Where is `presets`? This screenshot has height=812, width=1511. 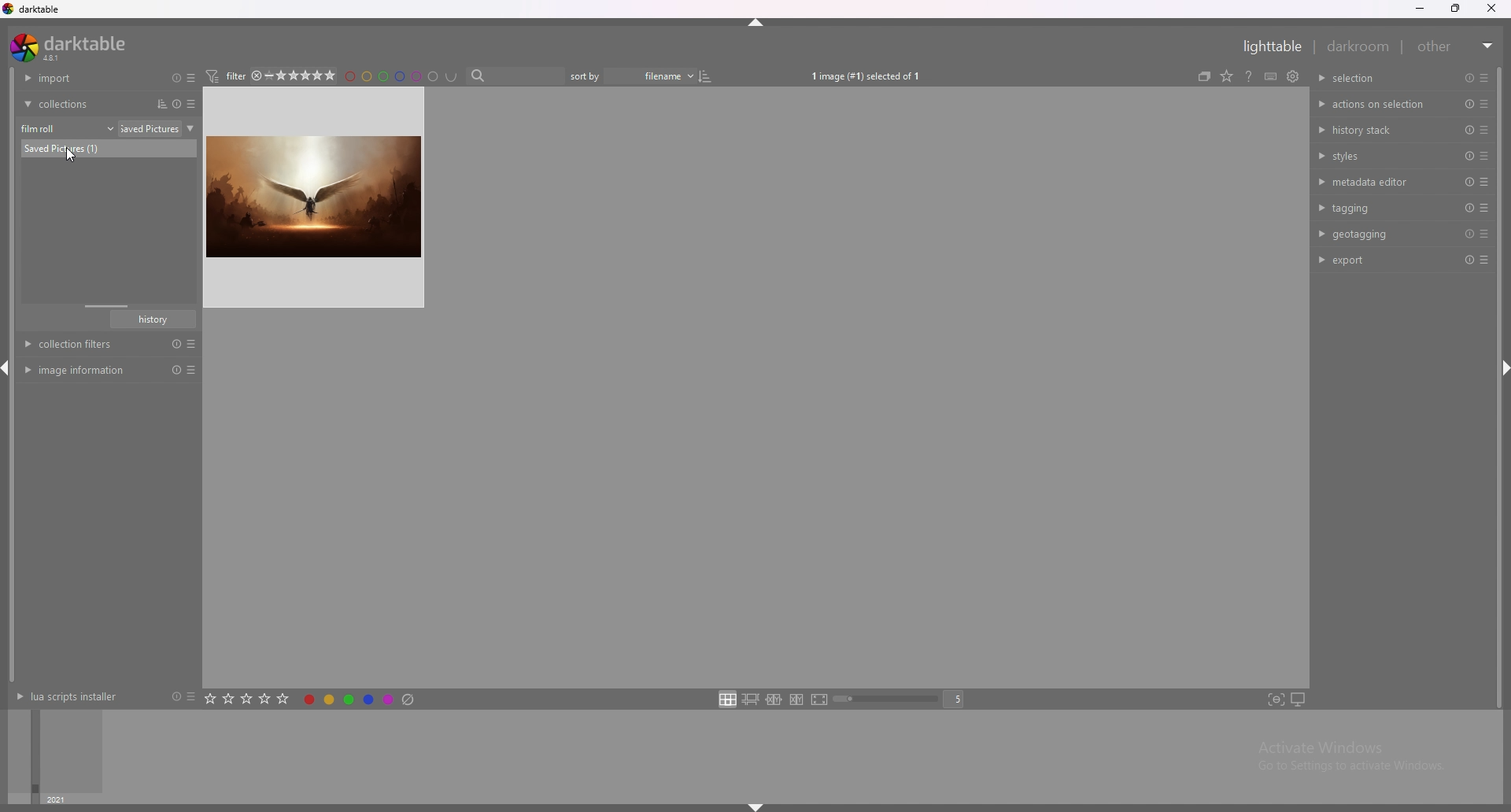
presets is located at coordinates (190, 696).